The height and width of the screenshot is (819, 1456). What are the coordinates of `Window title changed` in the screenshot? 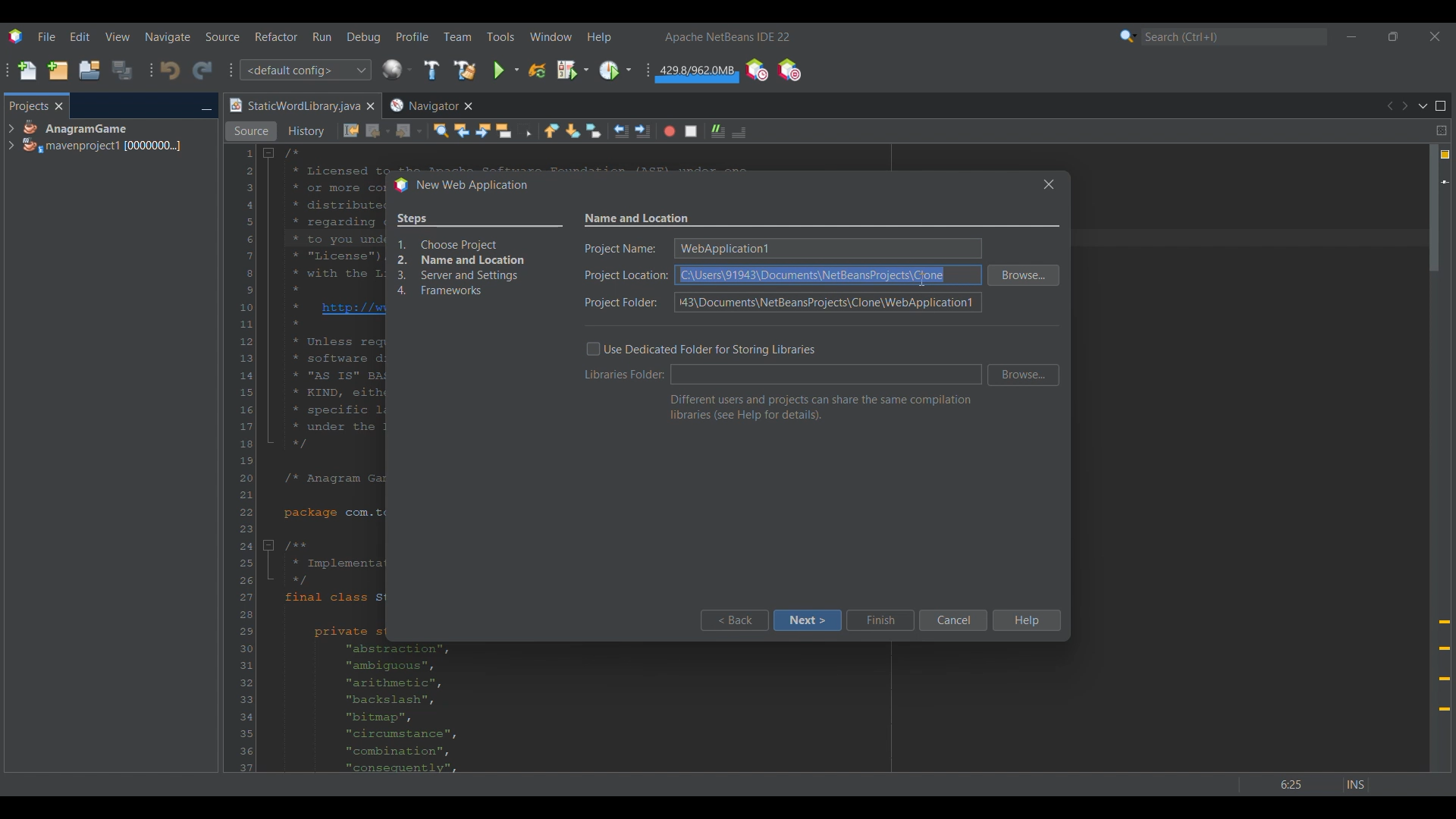 It's located at (460, 186).